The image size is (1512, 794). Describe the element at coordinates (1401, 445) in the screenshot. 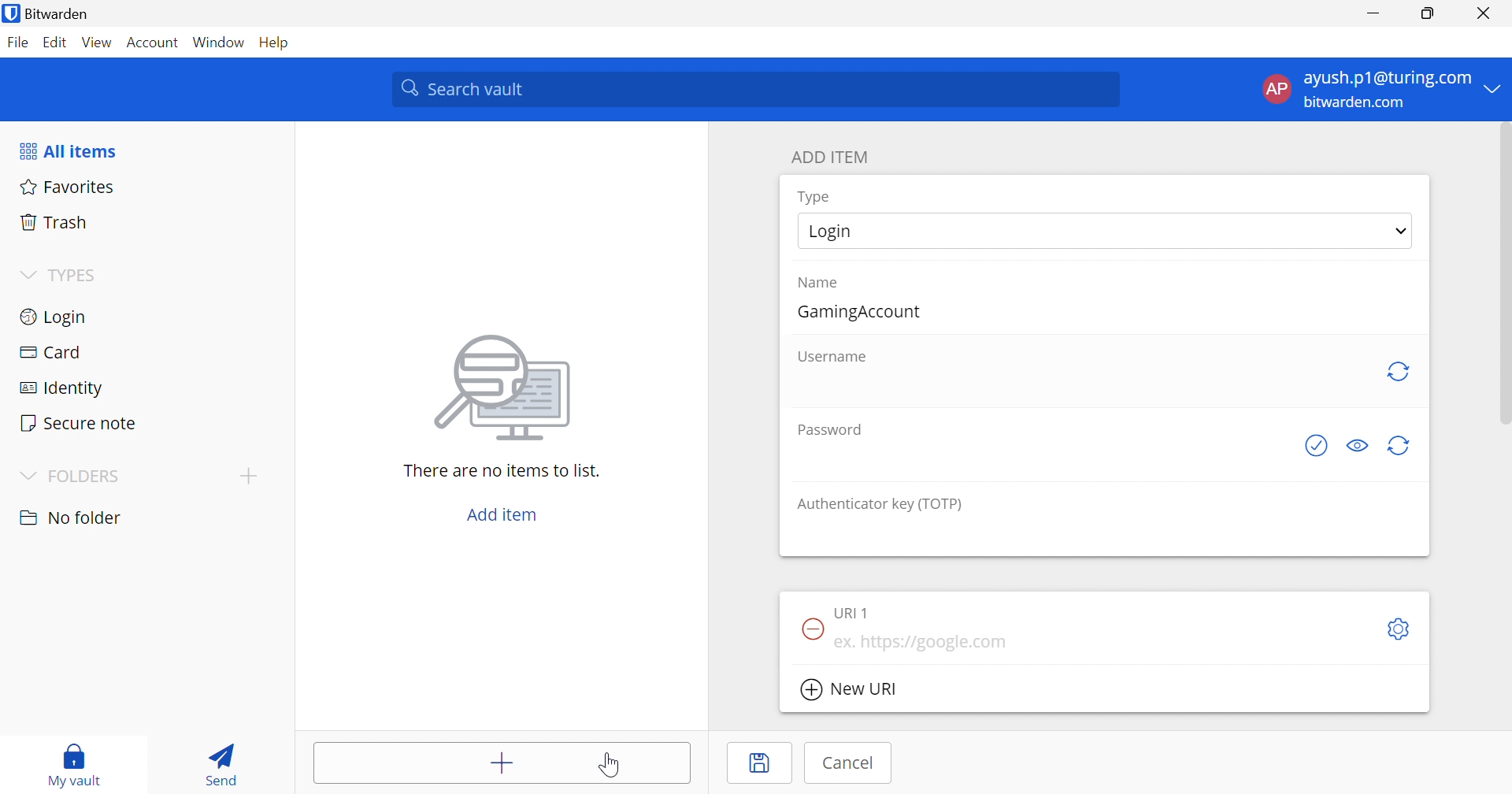

I see `Generate password` at that location.